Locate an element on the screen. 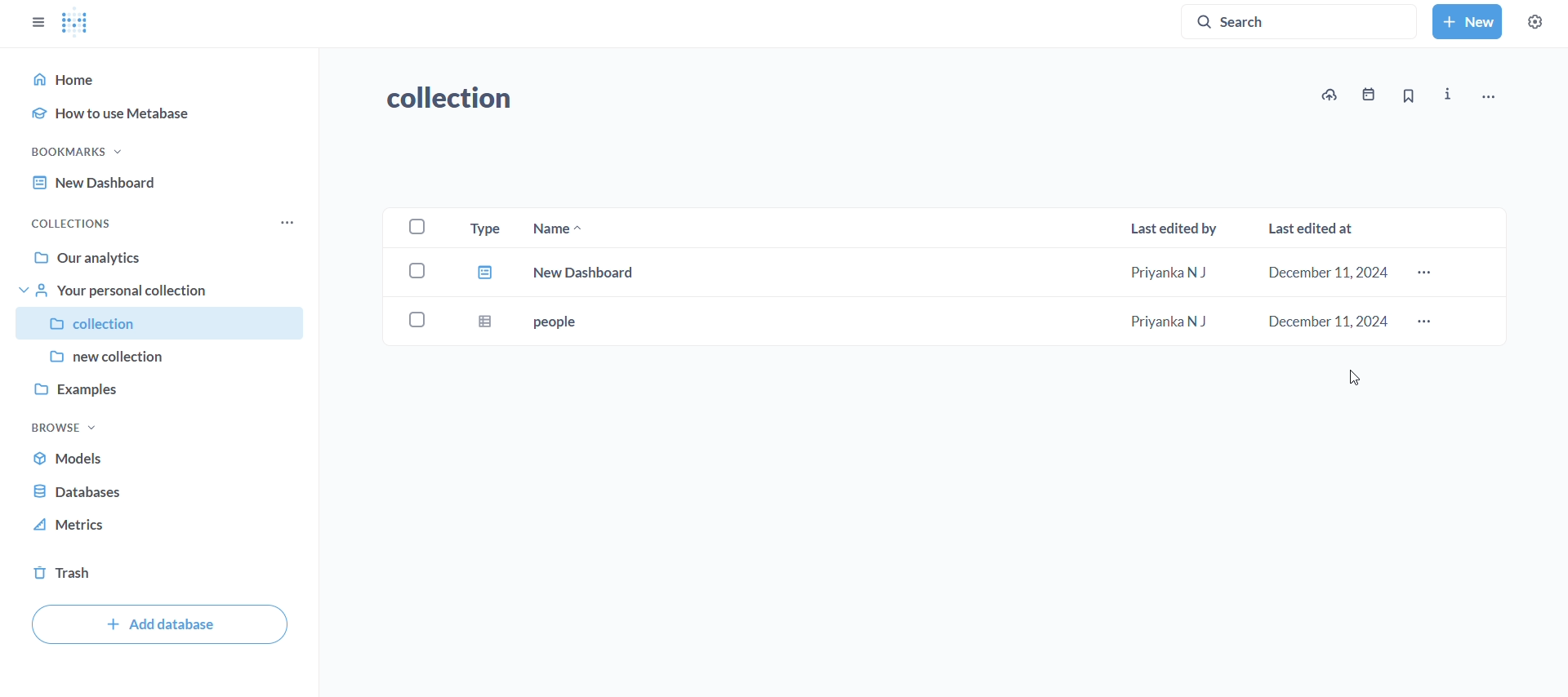 The height and width of the screenshot is (697, 1568). metrics is located at coordinates (72, 524).